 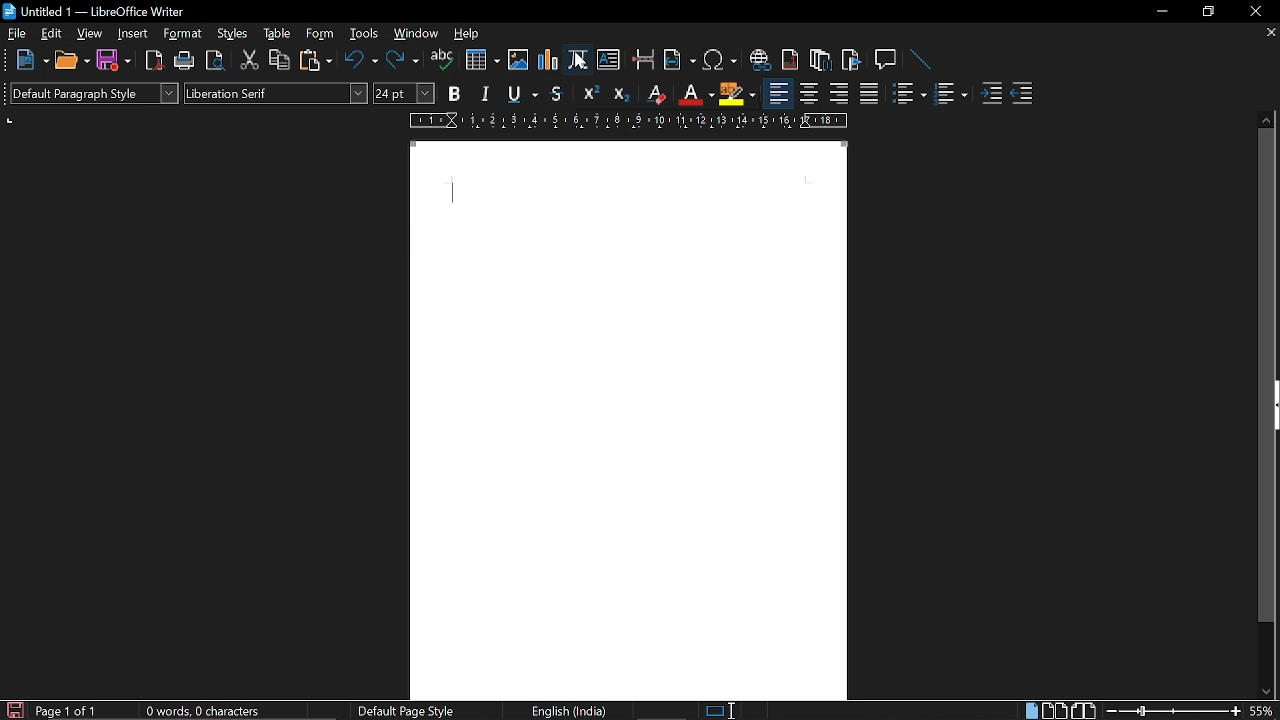 I want to click on file, so click(x=18, y=34).